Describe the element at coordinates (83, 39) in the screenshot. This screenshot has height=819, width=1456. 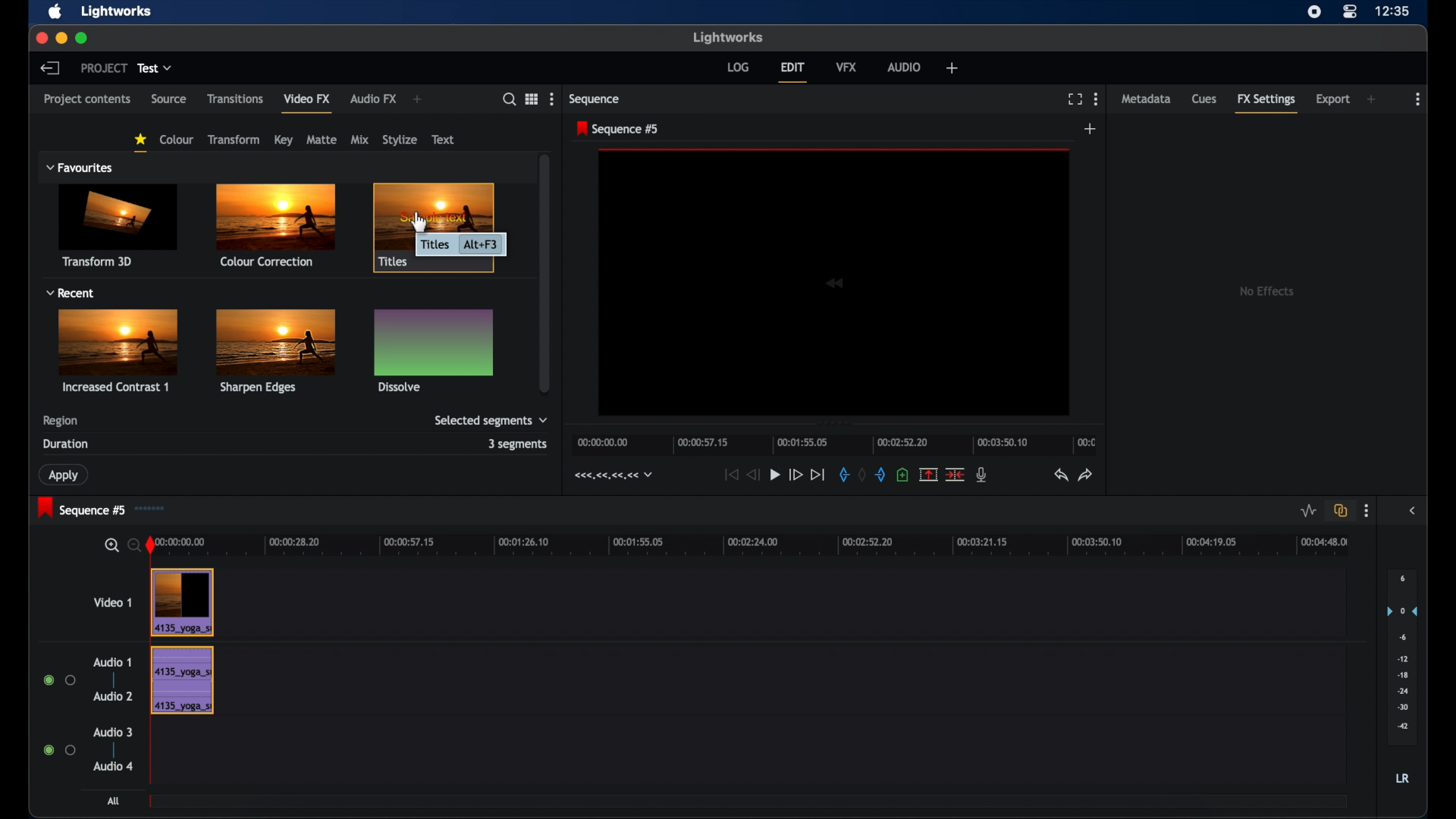
I see `maximize` at that location.